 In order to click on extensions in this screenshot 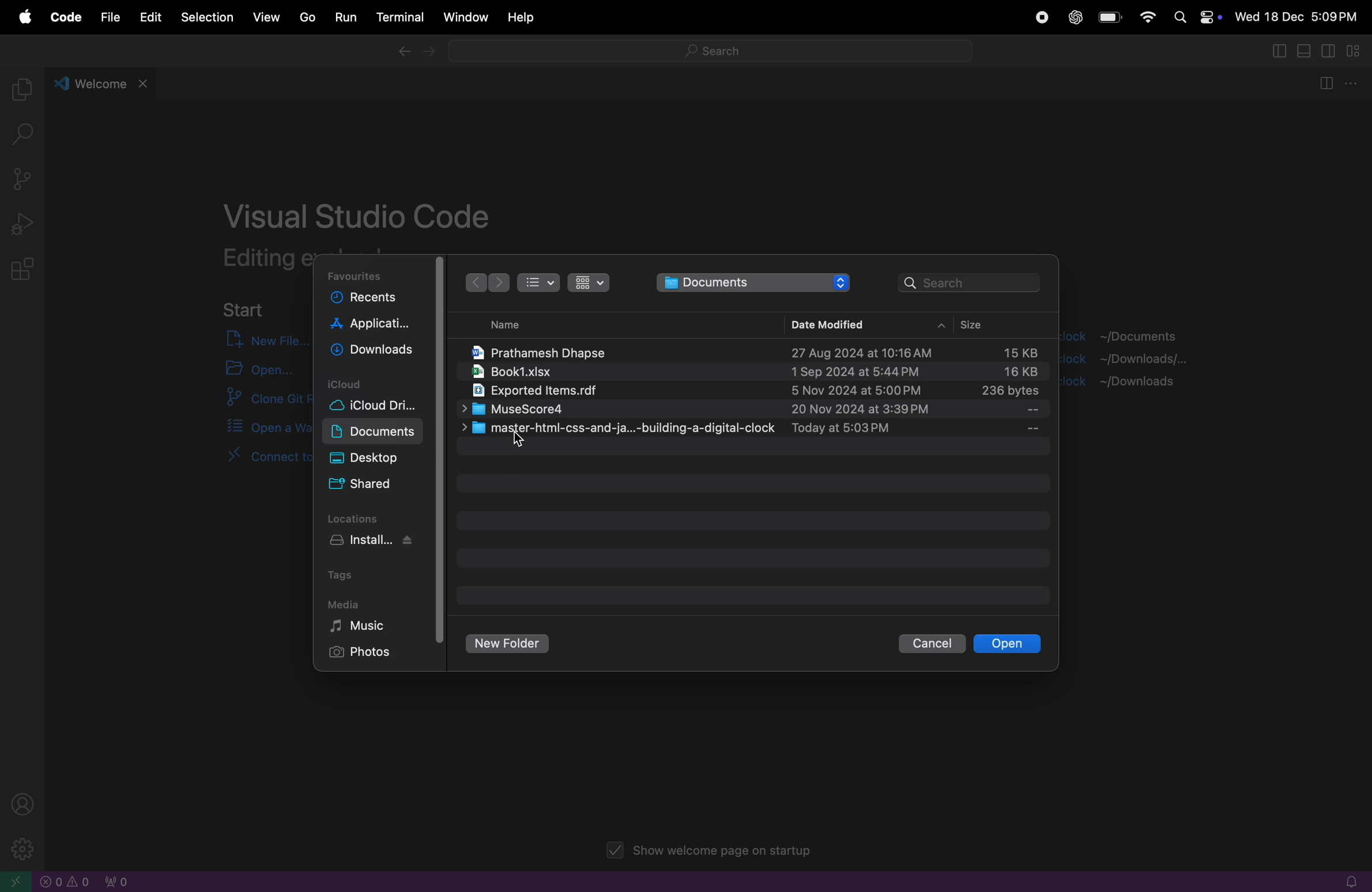, I will do `click(25, 270)`.